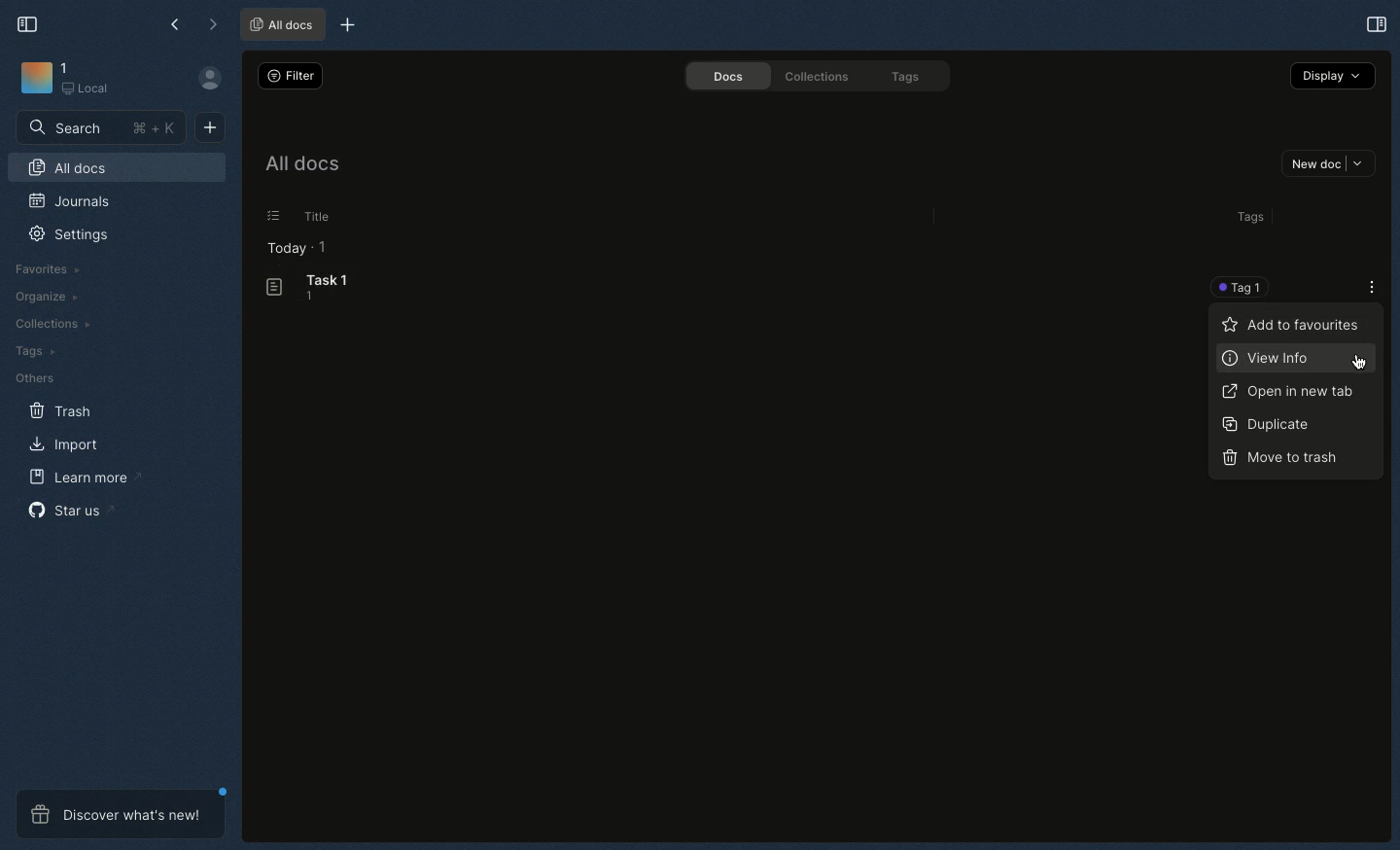 Image resolution: width=1400 pixels, height=850 pixels. What do you see at coordinates (309, 288) in the screenshot?
I see `Task 1` at bounding box center [309, 288].